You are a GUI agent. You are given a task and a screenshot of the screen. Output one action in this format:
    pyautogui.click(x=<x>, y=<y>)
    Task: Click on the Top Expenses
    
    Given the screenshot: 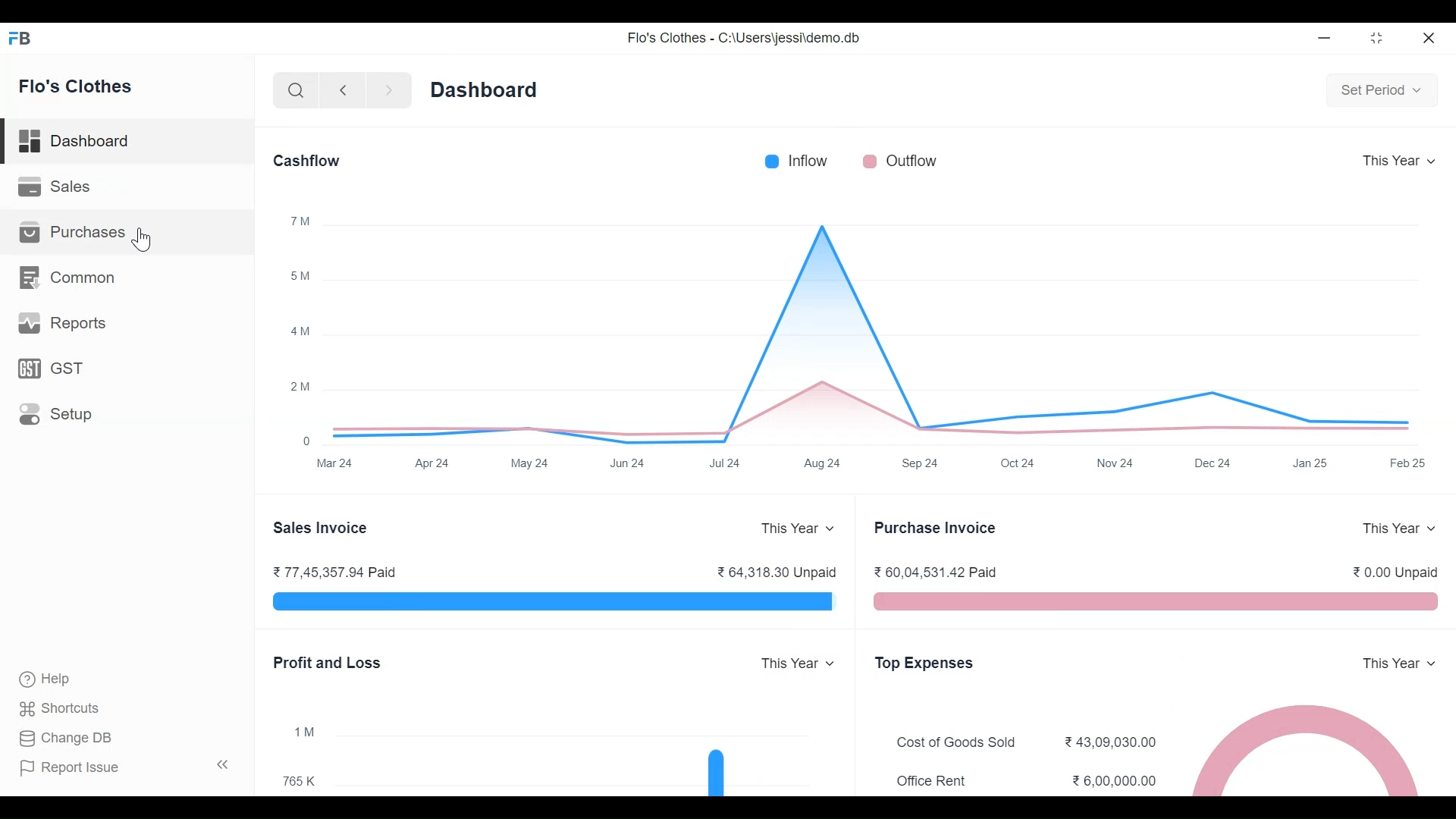 What is the action you would take?
    pyautogui.click(x=924, y=664)
    